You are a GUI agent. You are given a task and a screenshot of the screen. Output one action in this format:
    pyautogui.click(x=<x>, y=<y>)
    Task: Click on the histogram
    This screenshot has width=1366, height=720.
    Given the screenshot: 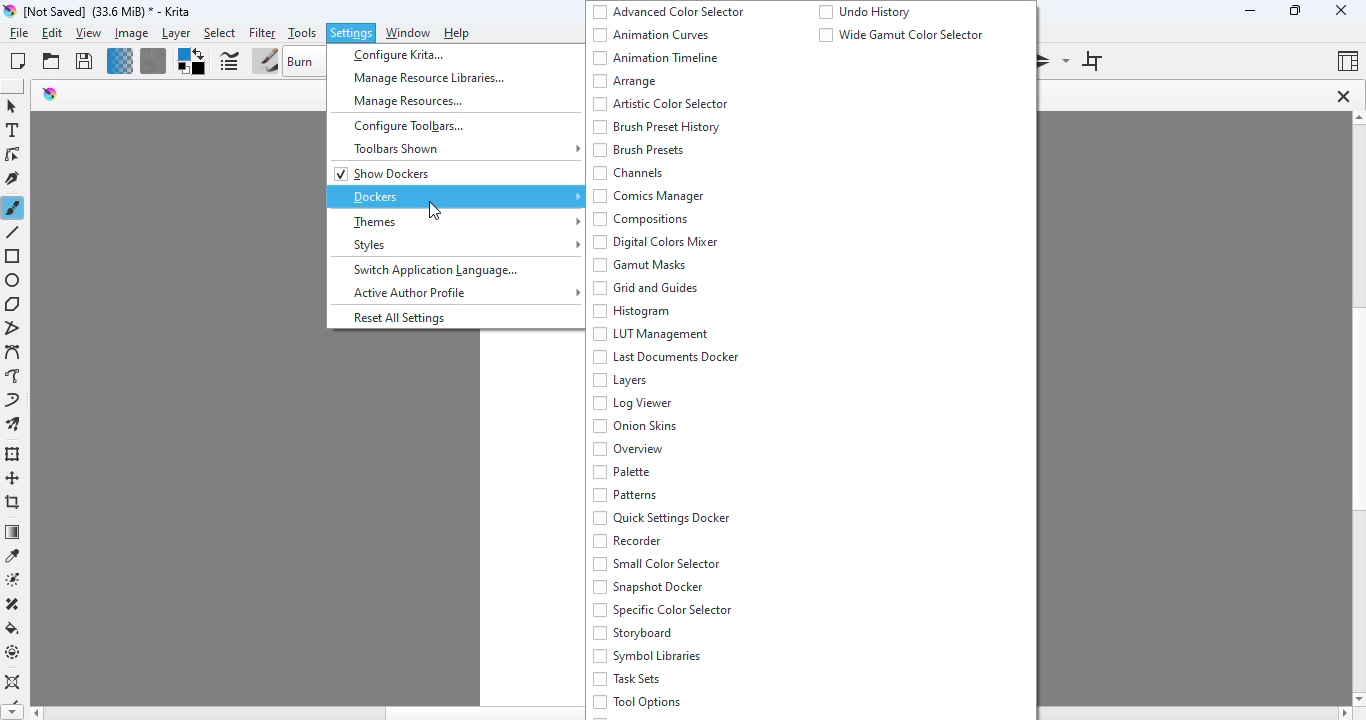 What is the action you would take?
    pyautogui.click(x=631, y=311)
    